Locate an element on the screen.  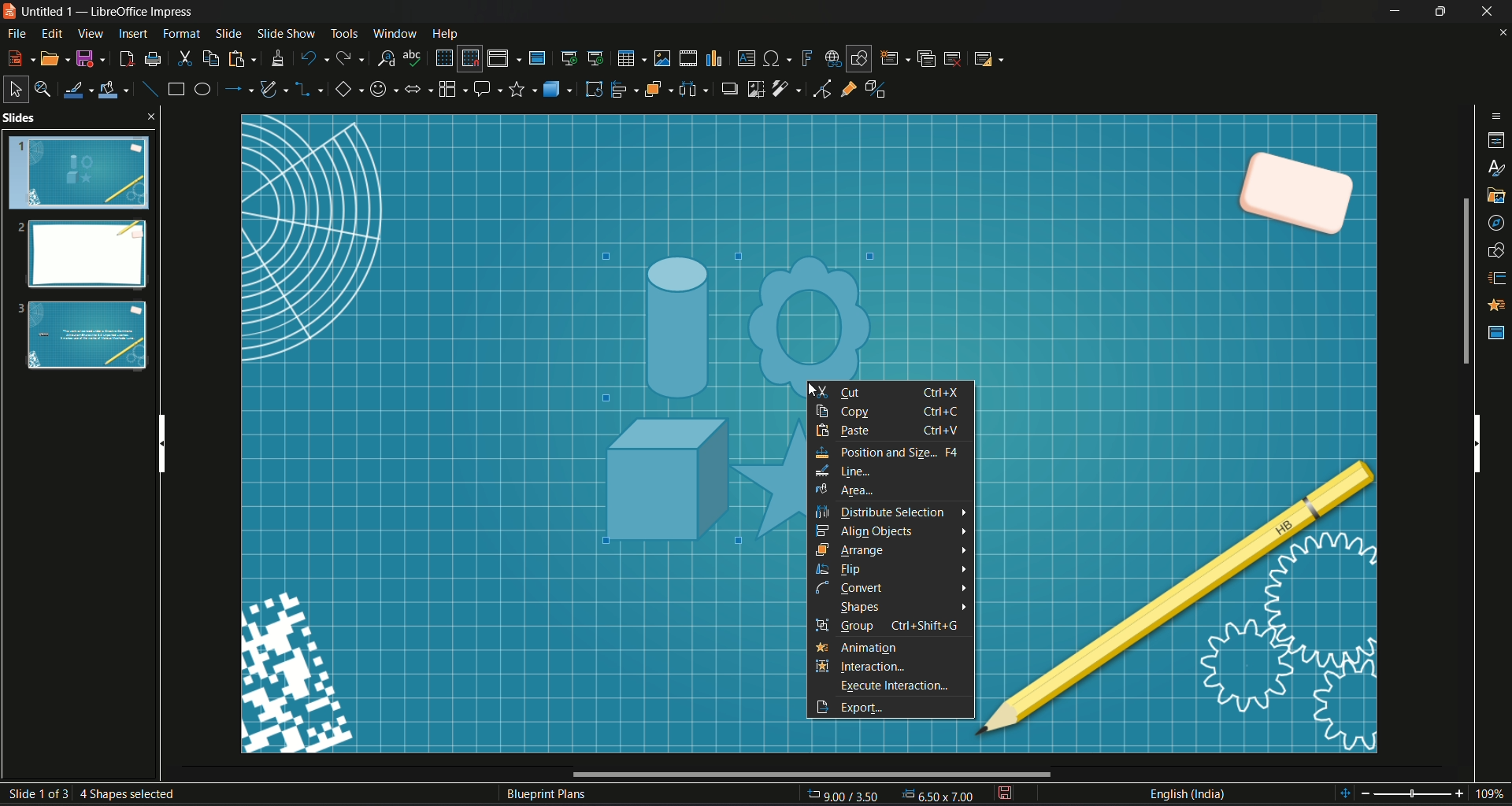
open is located at coordinates (56, 58).